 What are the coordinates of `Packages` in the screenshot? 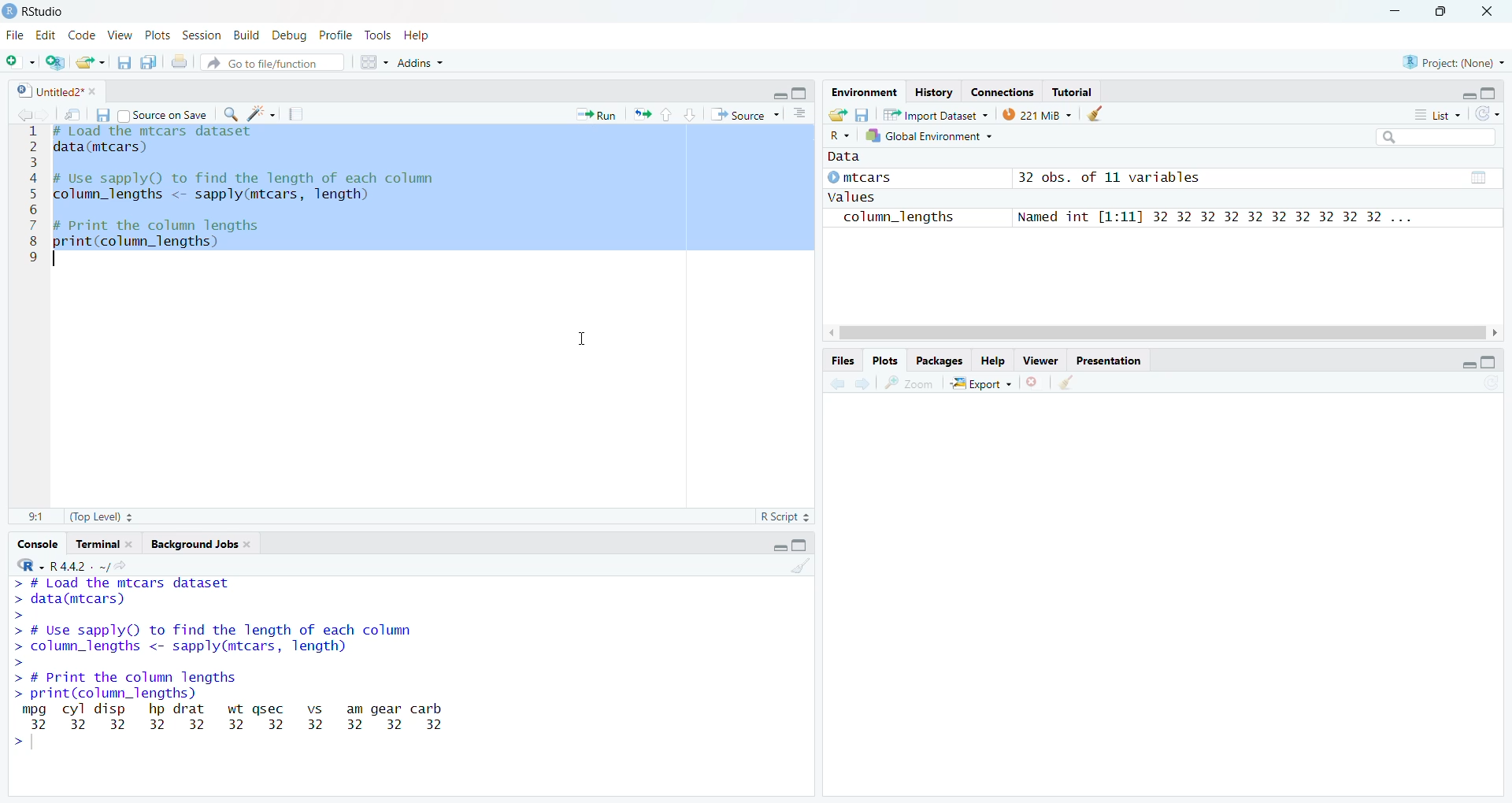 It's located at (939, 361).